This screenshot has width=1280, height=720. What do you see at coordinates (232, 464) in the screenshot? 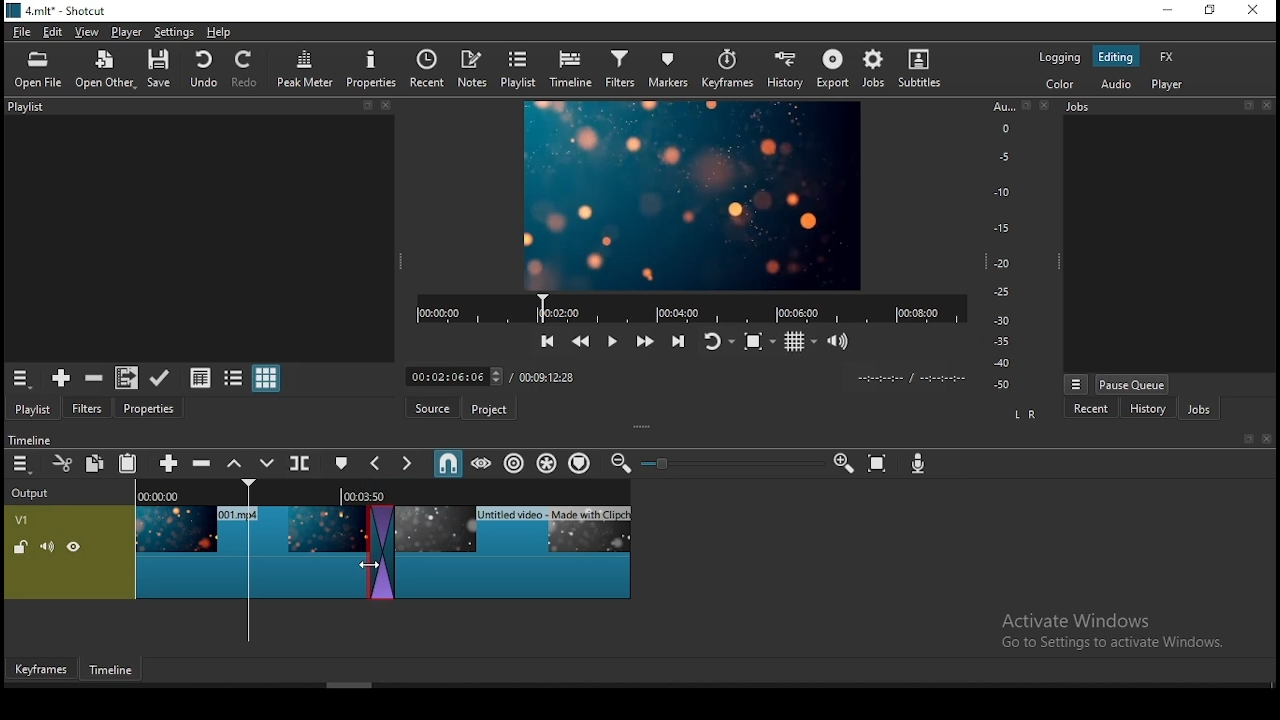
I see `lift` at bounding box center [232, 464].